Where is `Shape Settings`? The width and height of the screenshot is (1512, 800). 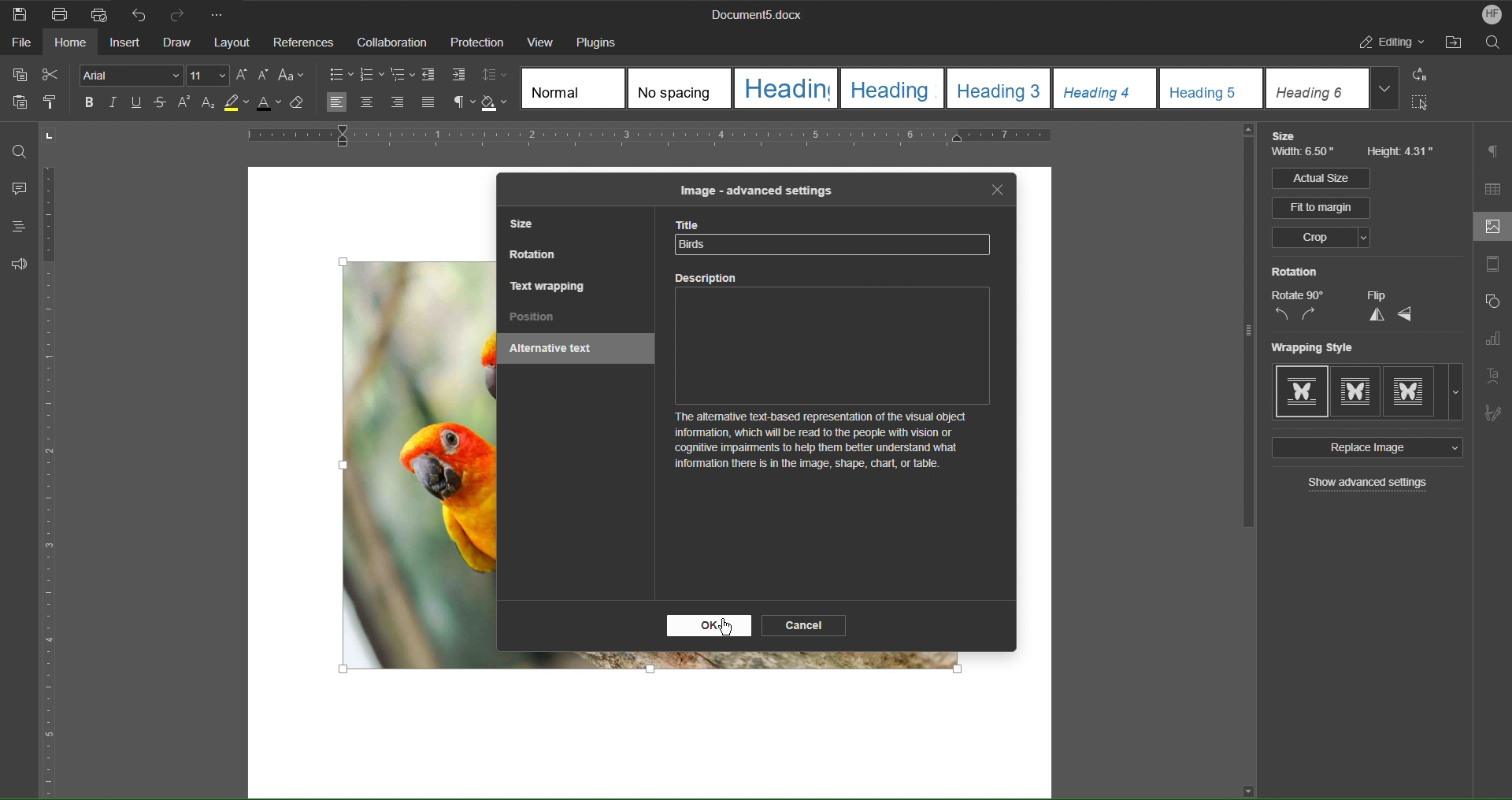
Shape Settings is located at coordinates (1492, 305).